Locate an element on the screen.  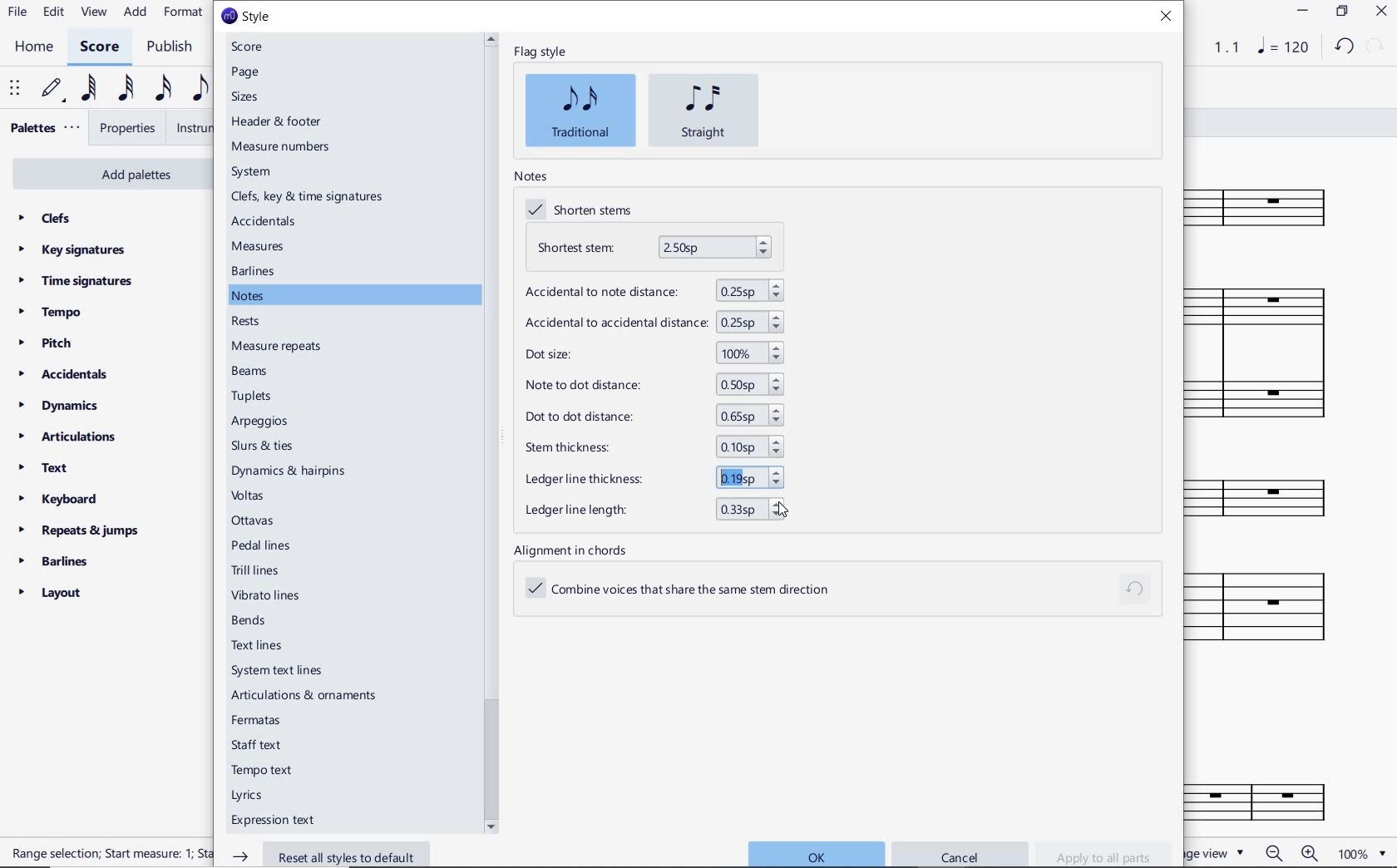
measure repeats is located at coordinates (277, 348).